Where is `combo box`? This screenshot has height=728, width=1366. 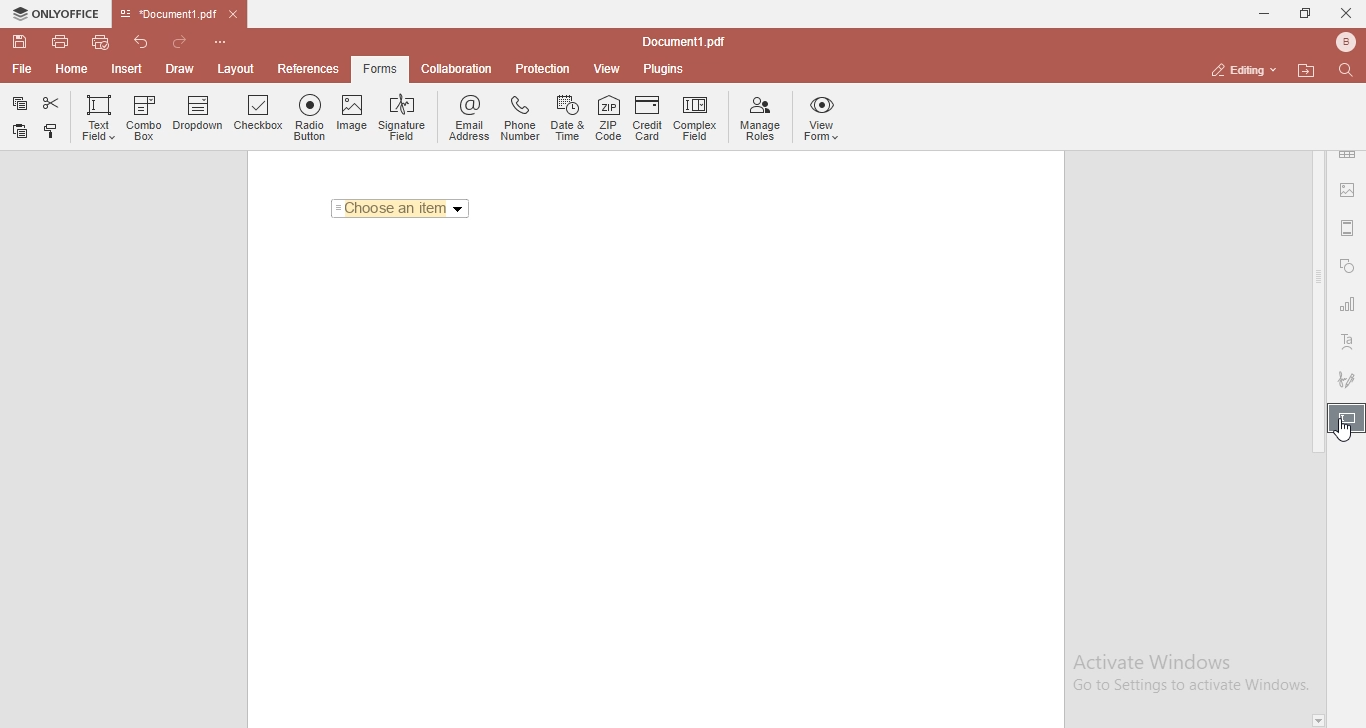 combo box is located at coordinates (400, 209).